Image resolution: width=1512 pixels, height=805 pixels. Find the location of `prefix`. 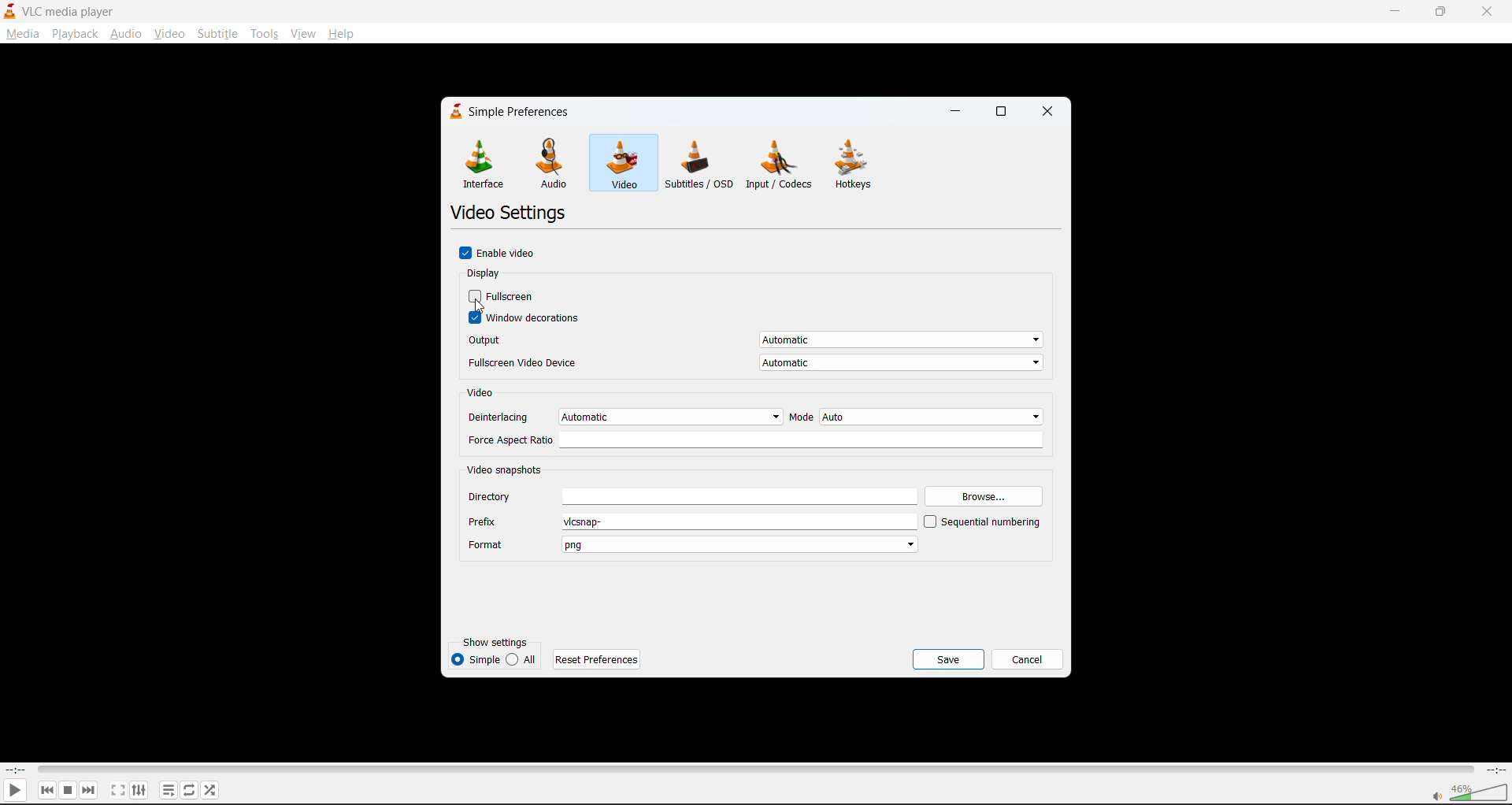

prefix is located at coordinates (687, 522).